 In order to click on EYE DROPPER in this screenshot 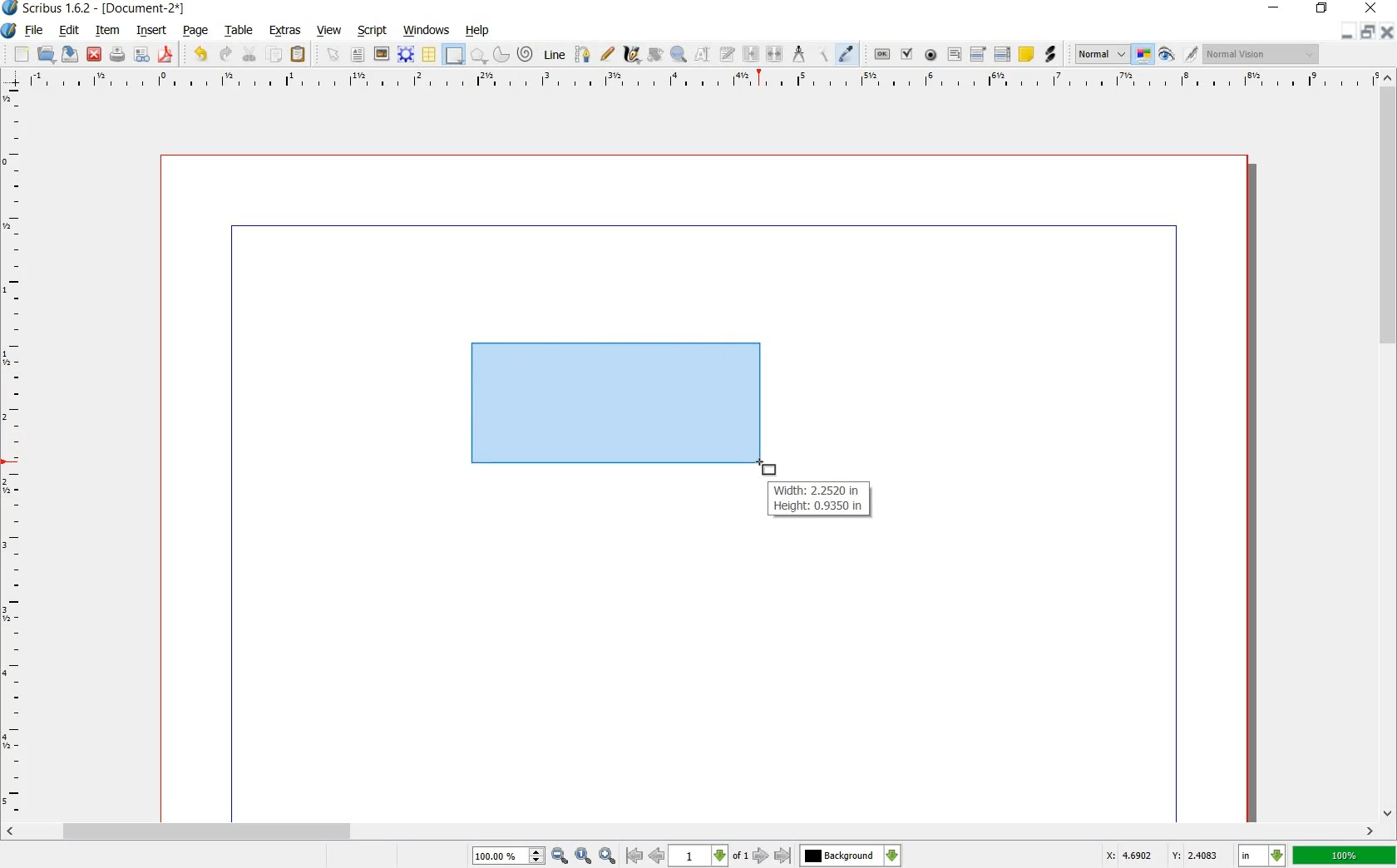, I will do `click(849, 54)`.